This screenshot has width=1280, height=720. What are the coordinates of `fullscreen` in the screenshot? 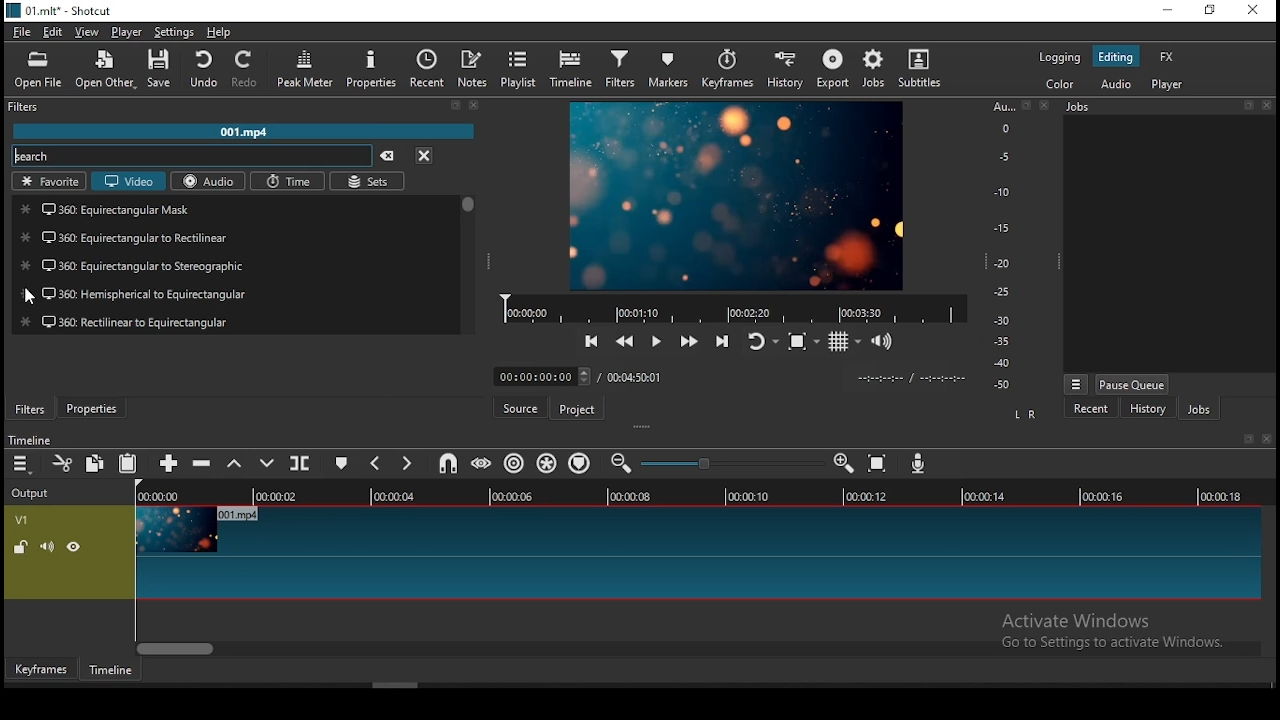 It's located at (1246, 105).